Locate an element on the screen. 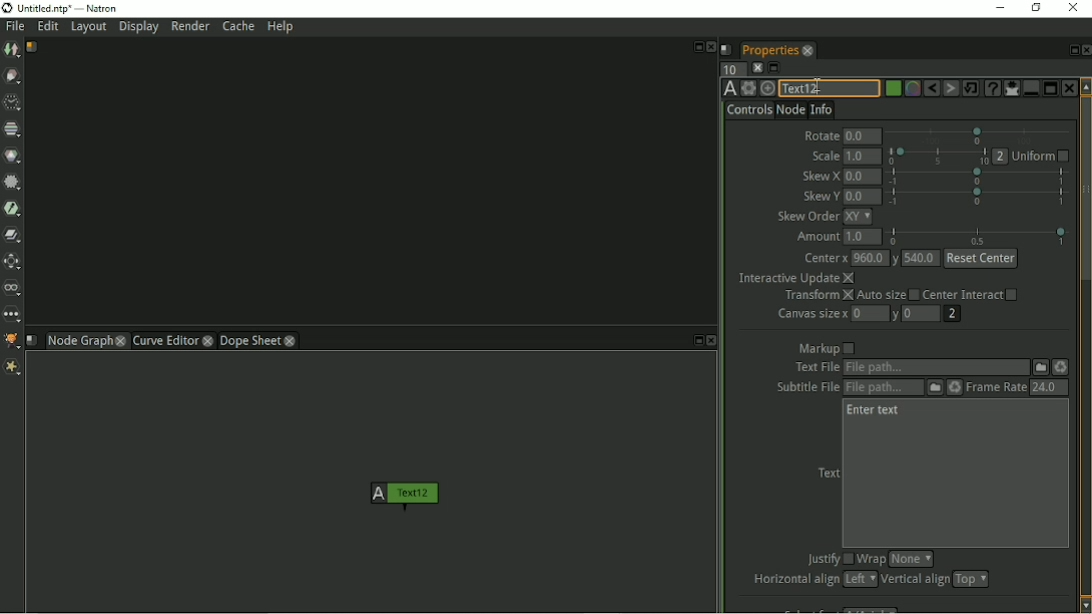  xy is located at coordinates (858, 217).